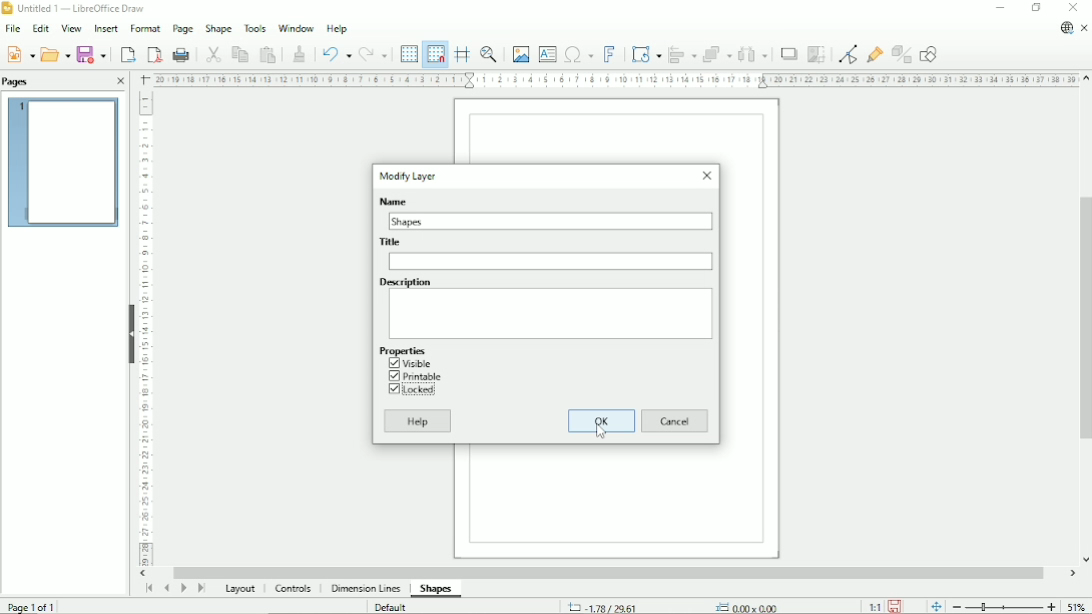 The width and height of the screenshot is (1092, 614). I want to click on Zoom out/in, so click(1004, 607).